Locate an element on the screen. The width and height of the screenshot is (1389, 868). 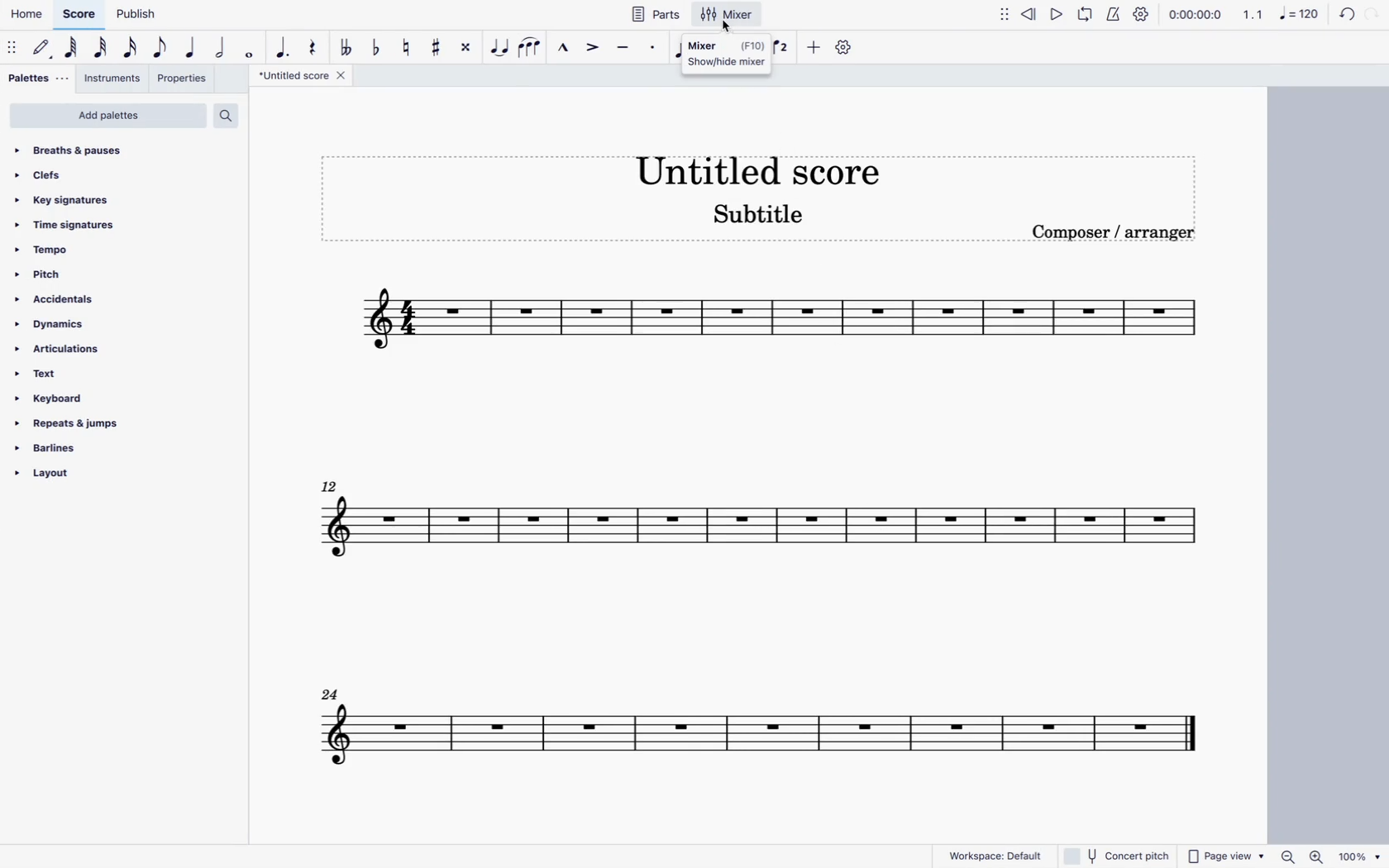
tempo is located at coordinates (77, 249).